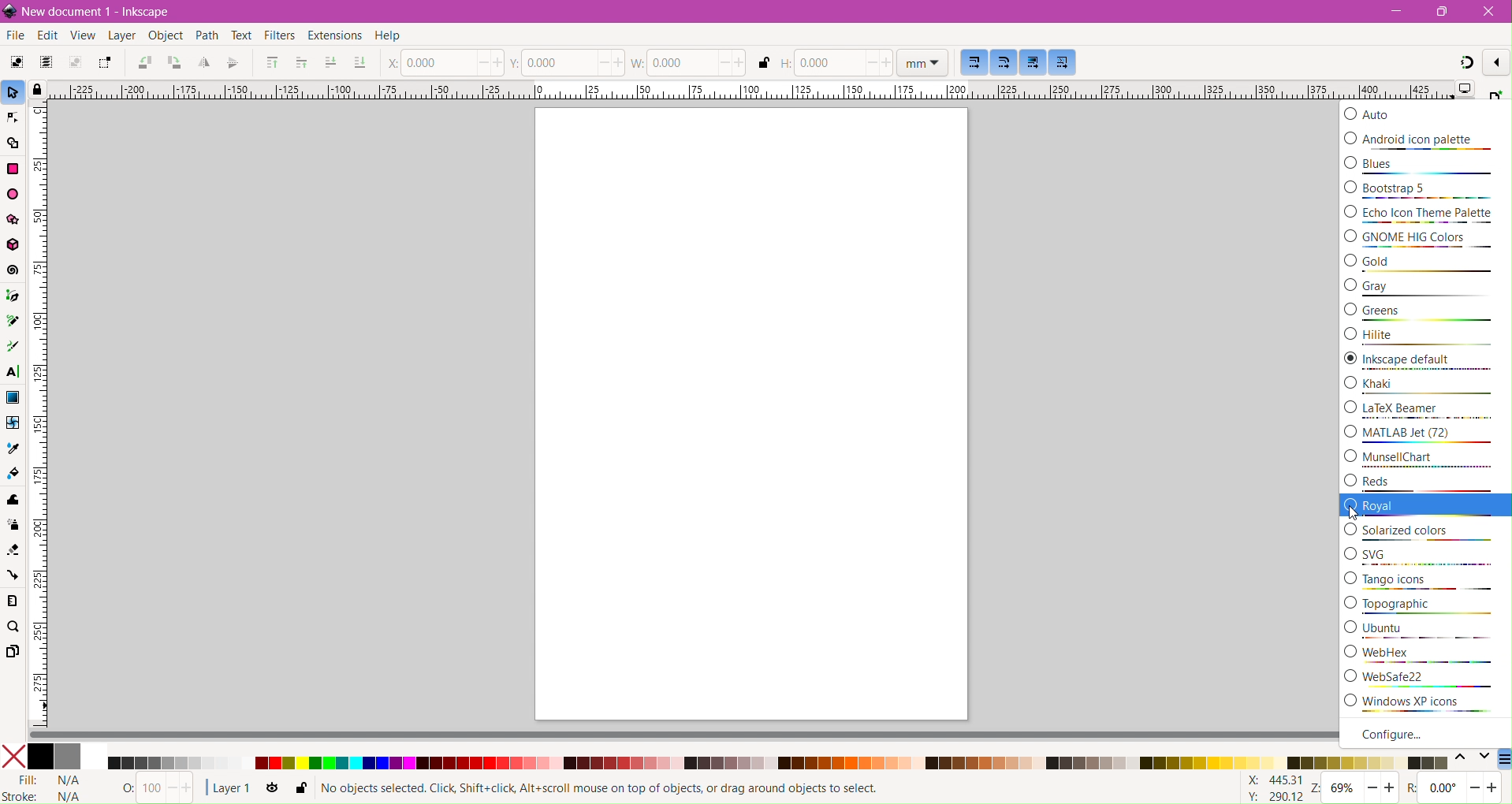 This screenshot has width=1512, height=804. I want to click on Inkscape Default, so click(1427, 363).